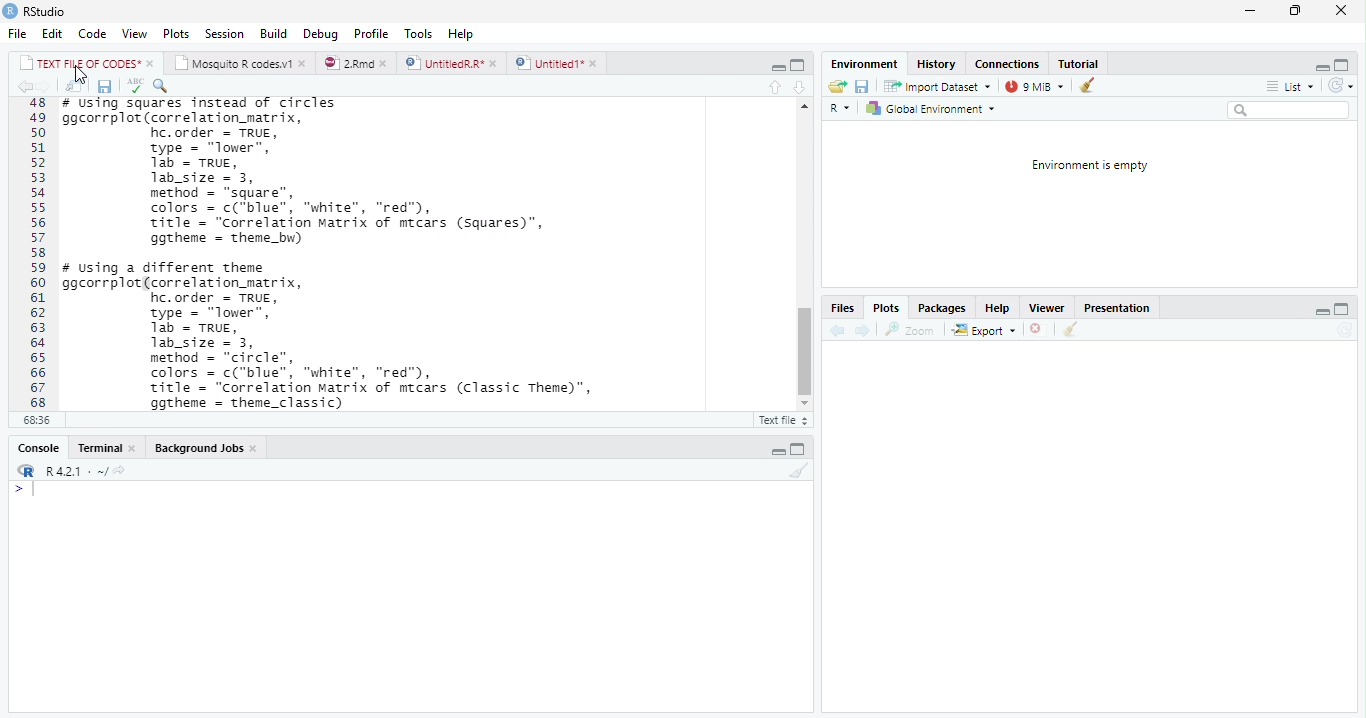 The height and width of the screenshot is (718, 1366). Describe the element at coordinates (88, 63) in the screenshot. I see `| TEXT FILE OF CODES* »` at that location.